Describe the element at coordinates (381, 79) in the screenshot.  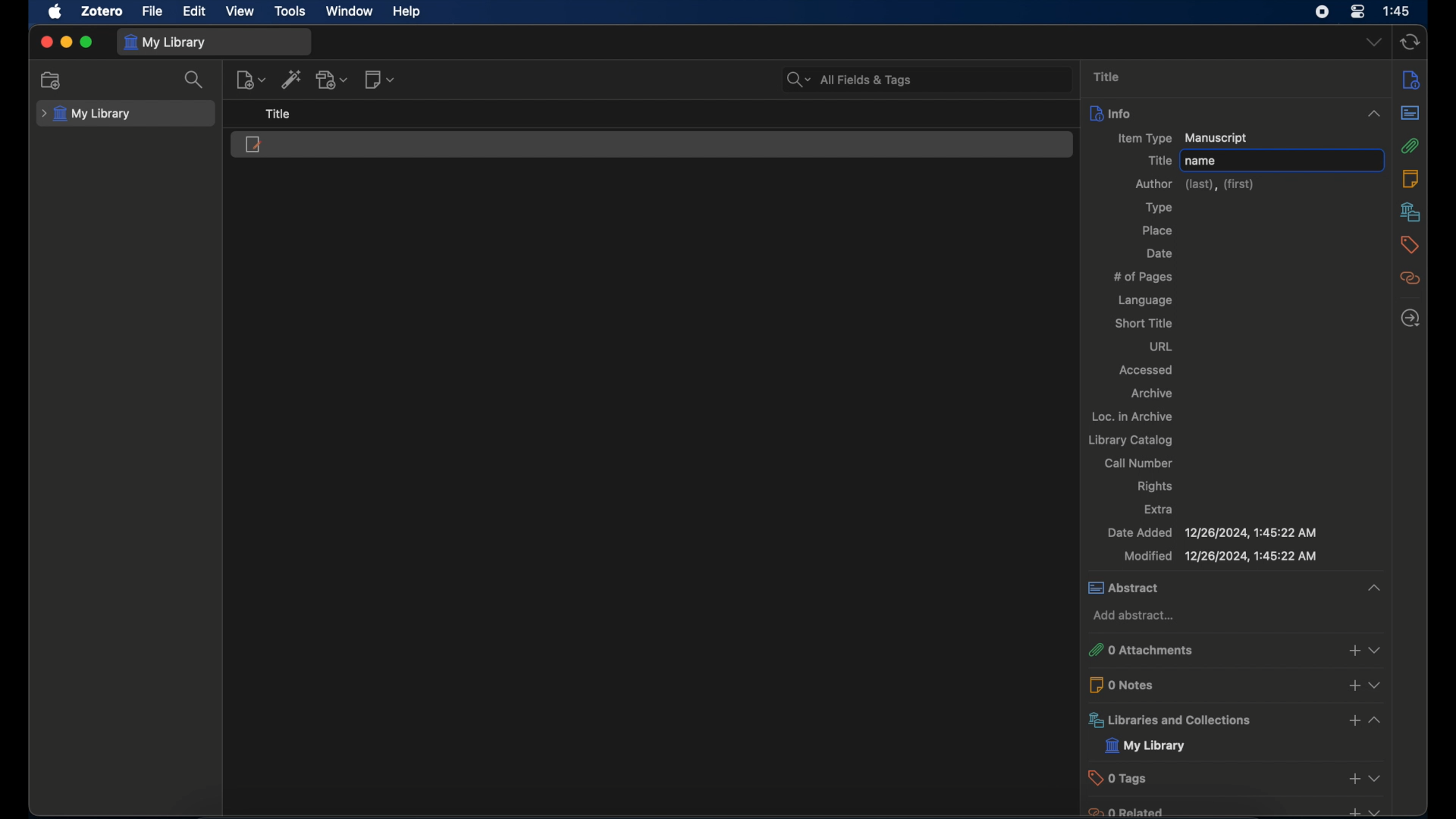
I see `new note` at that location.